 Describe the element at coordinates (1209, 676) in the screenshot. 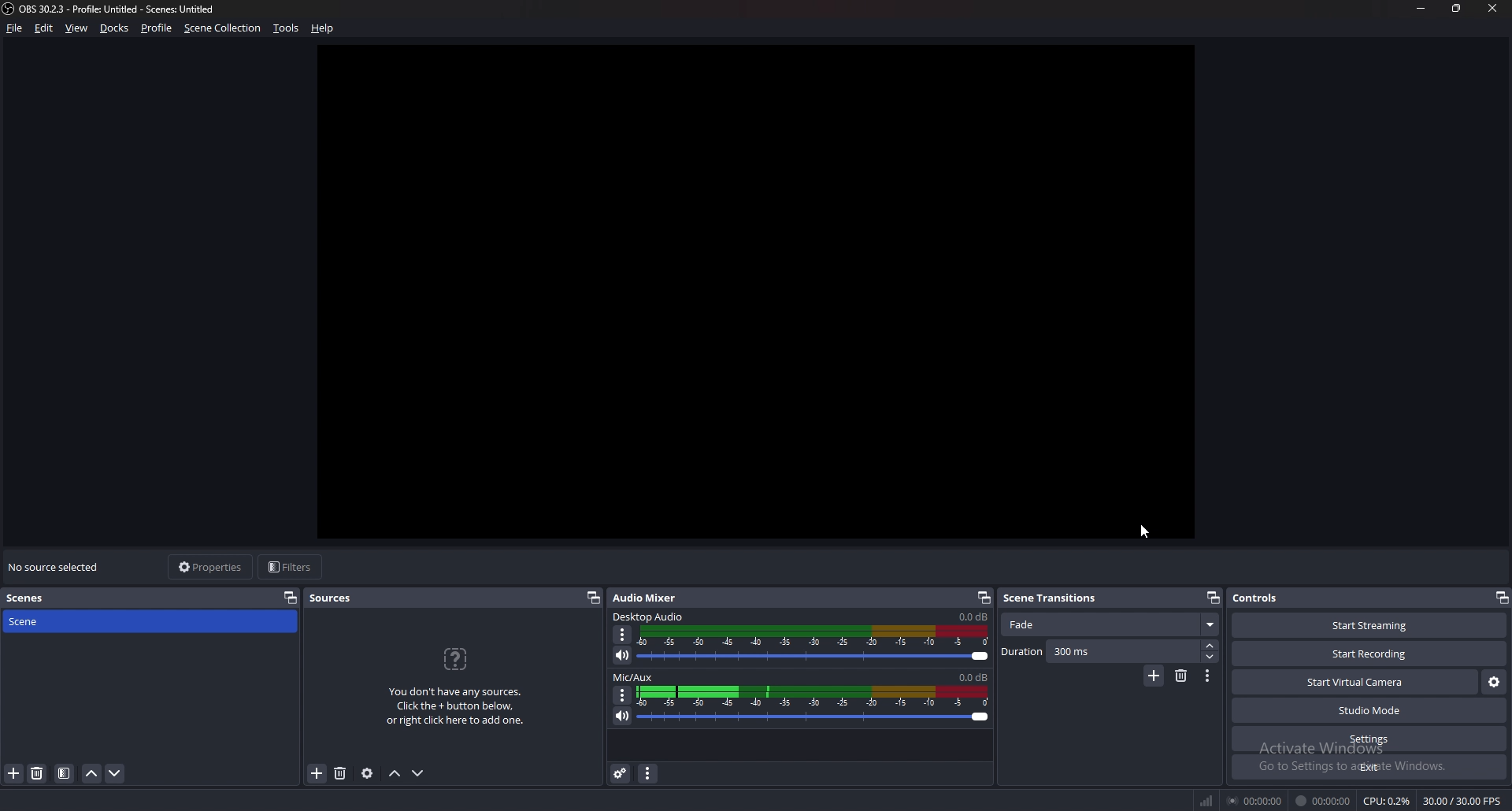

I see `options` at that location.